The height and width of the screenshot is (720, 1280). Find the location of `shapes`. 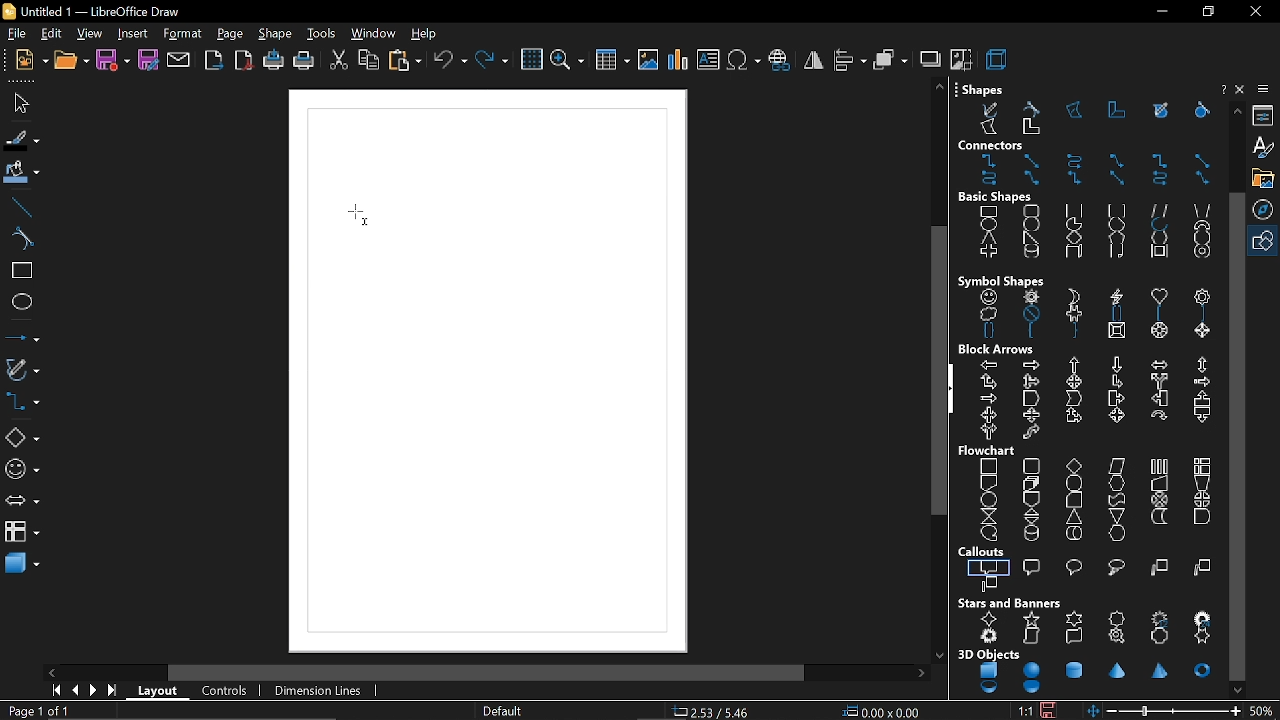

shapes is located at coordinates (1266, 239).